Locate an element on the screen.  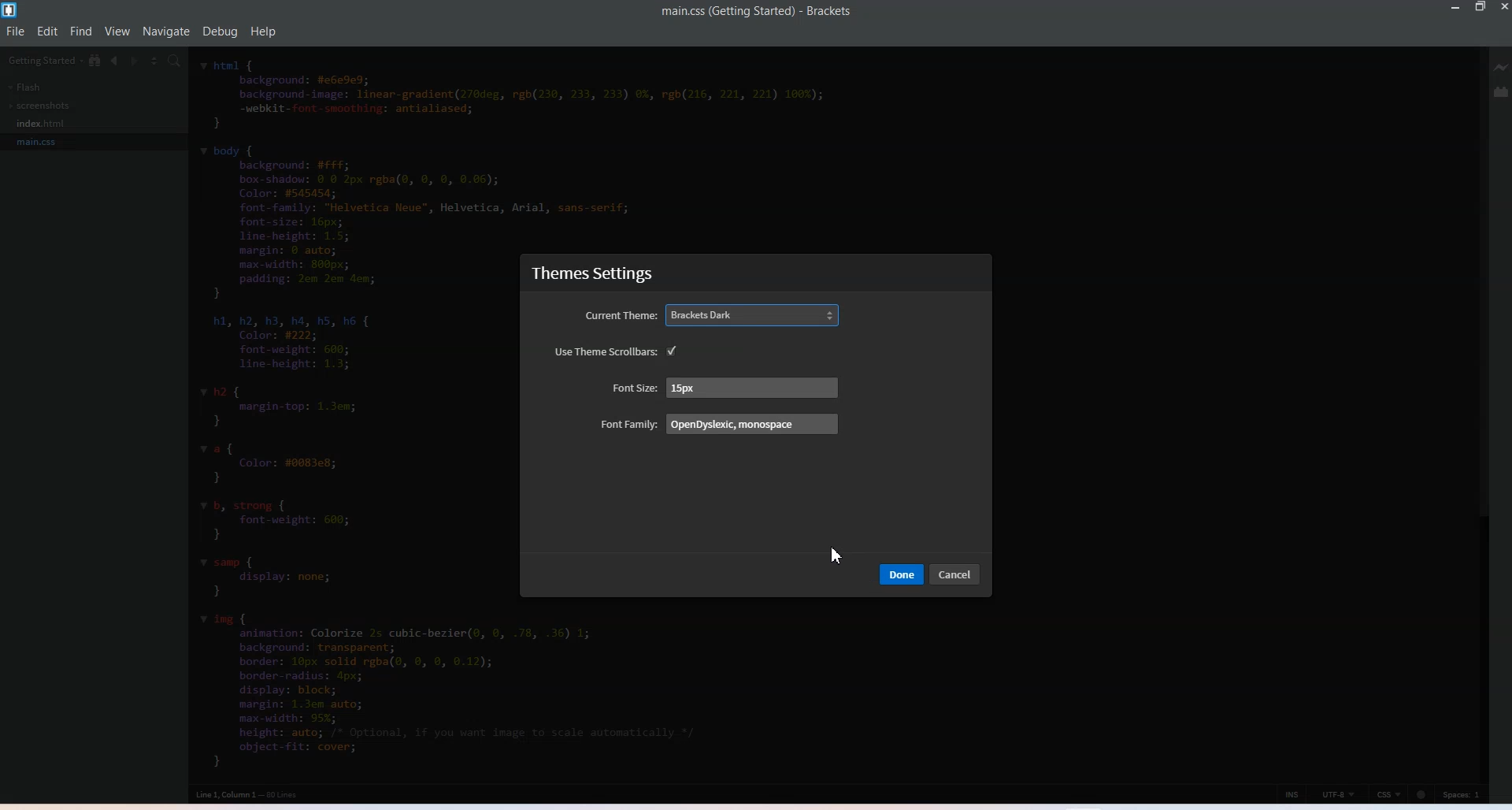
Theme settings is located at coordinates (593, 273).